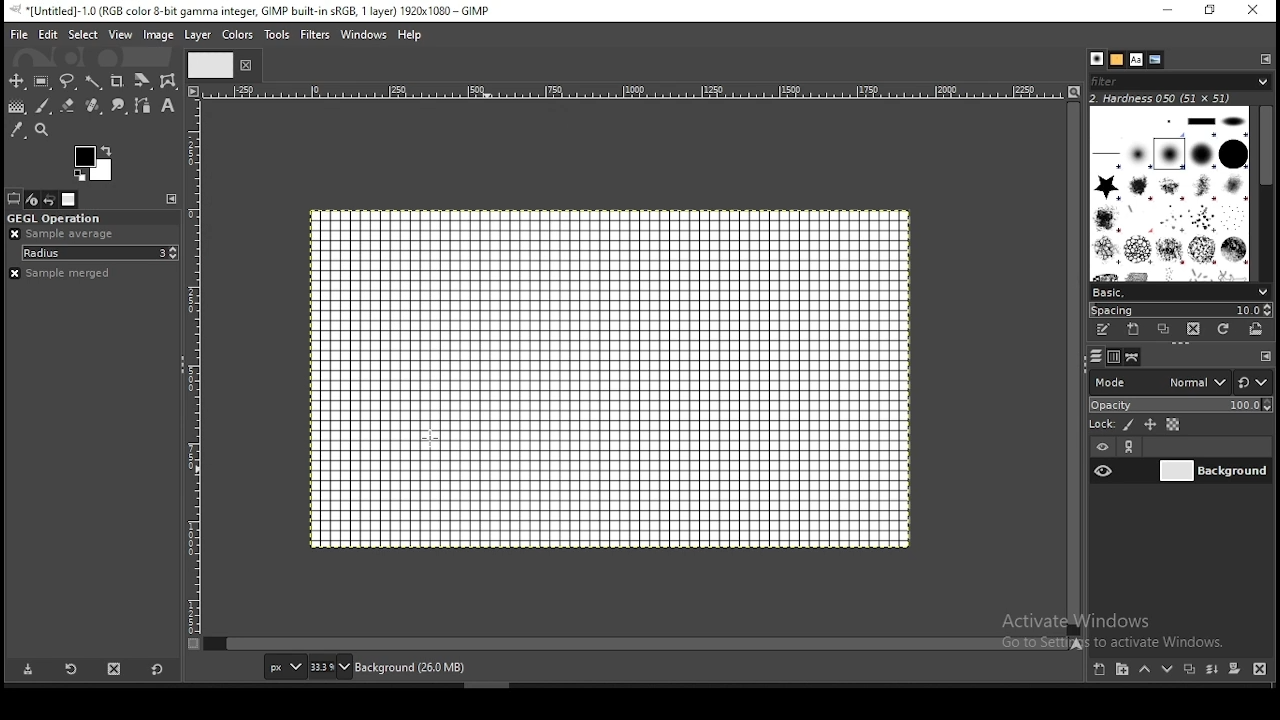 The width and height of the screenshot is (1280, 720). I want to click on sample average, so click(60, 235).